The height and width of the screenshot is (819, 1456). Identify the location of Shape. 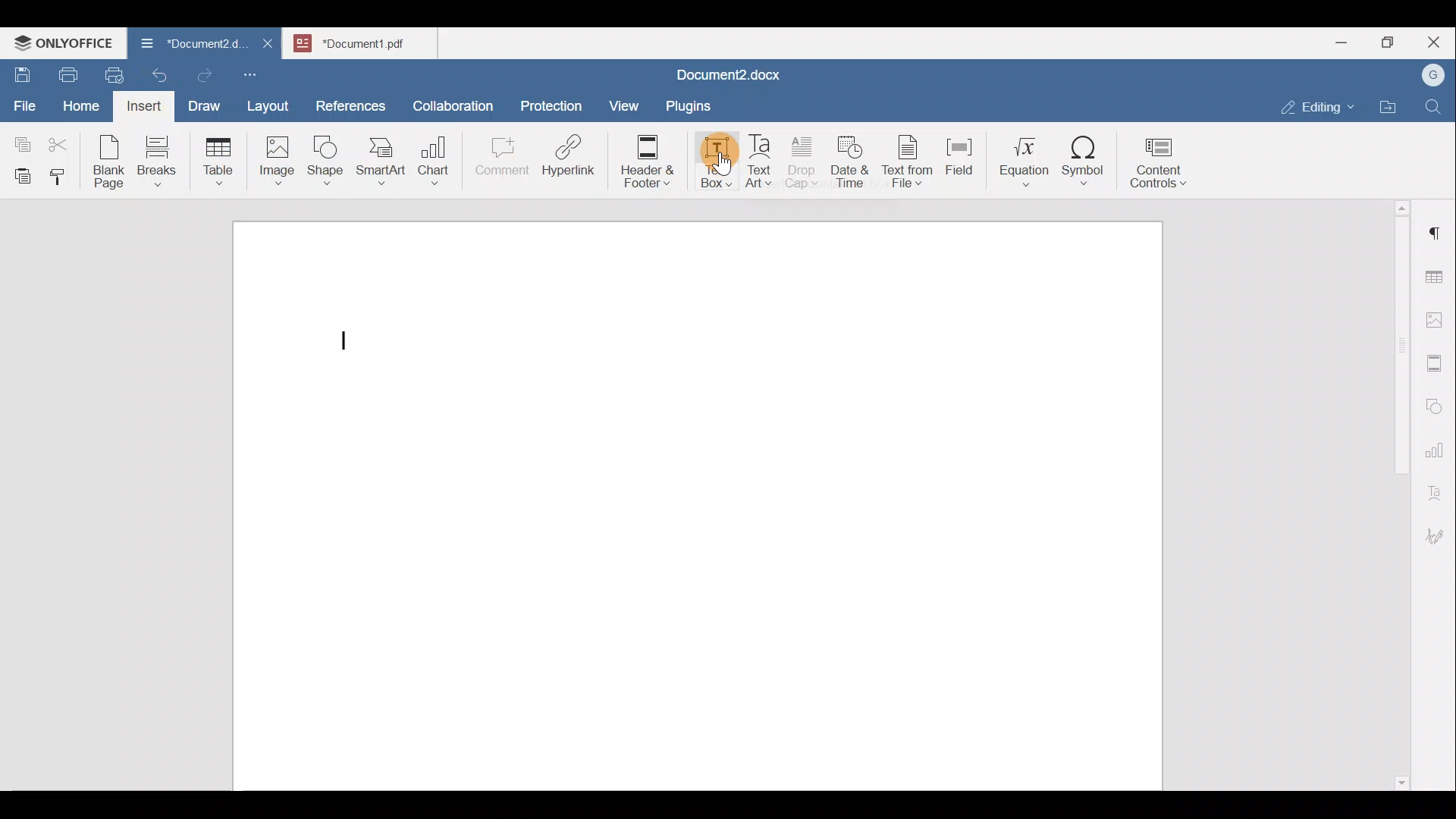
(327, 155).